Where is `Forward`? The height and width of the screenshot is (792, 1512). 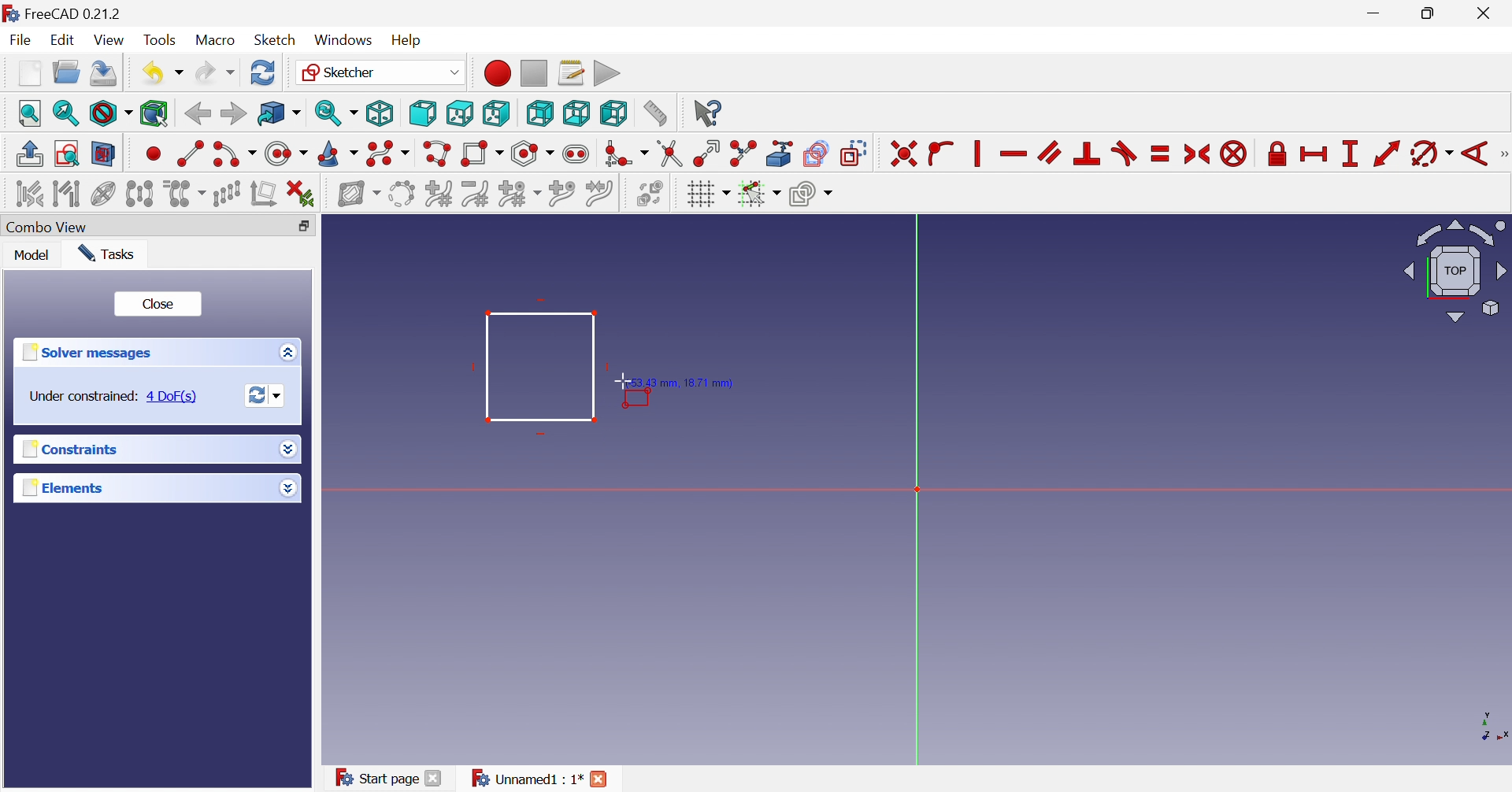
Forward is located at coordinates (232, 113).